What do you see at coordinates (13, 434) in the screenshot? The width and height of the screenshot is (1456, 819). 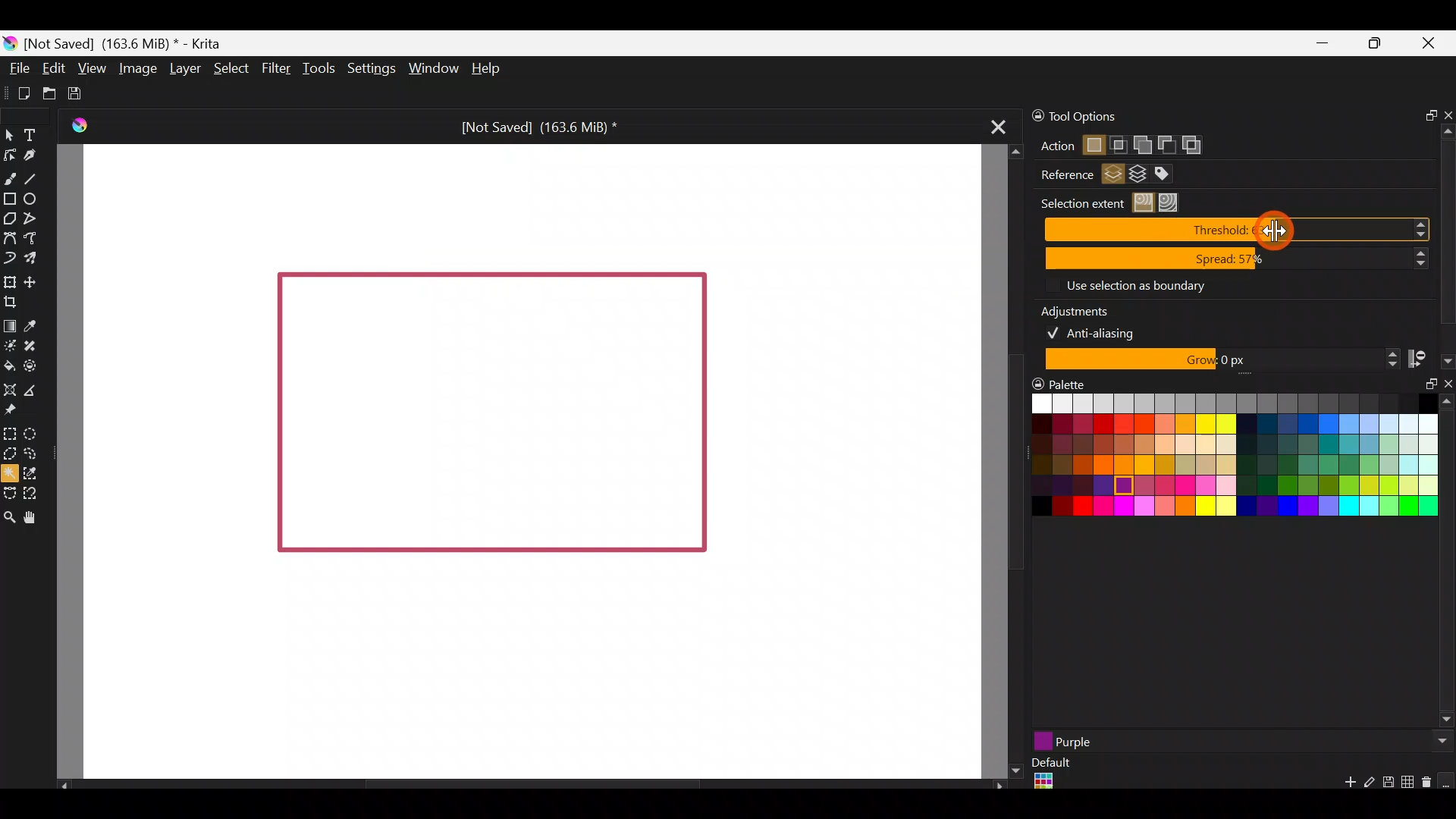 I see `Rectangular selection tool` at bounding box center [13, 434].